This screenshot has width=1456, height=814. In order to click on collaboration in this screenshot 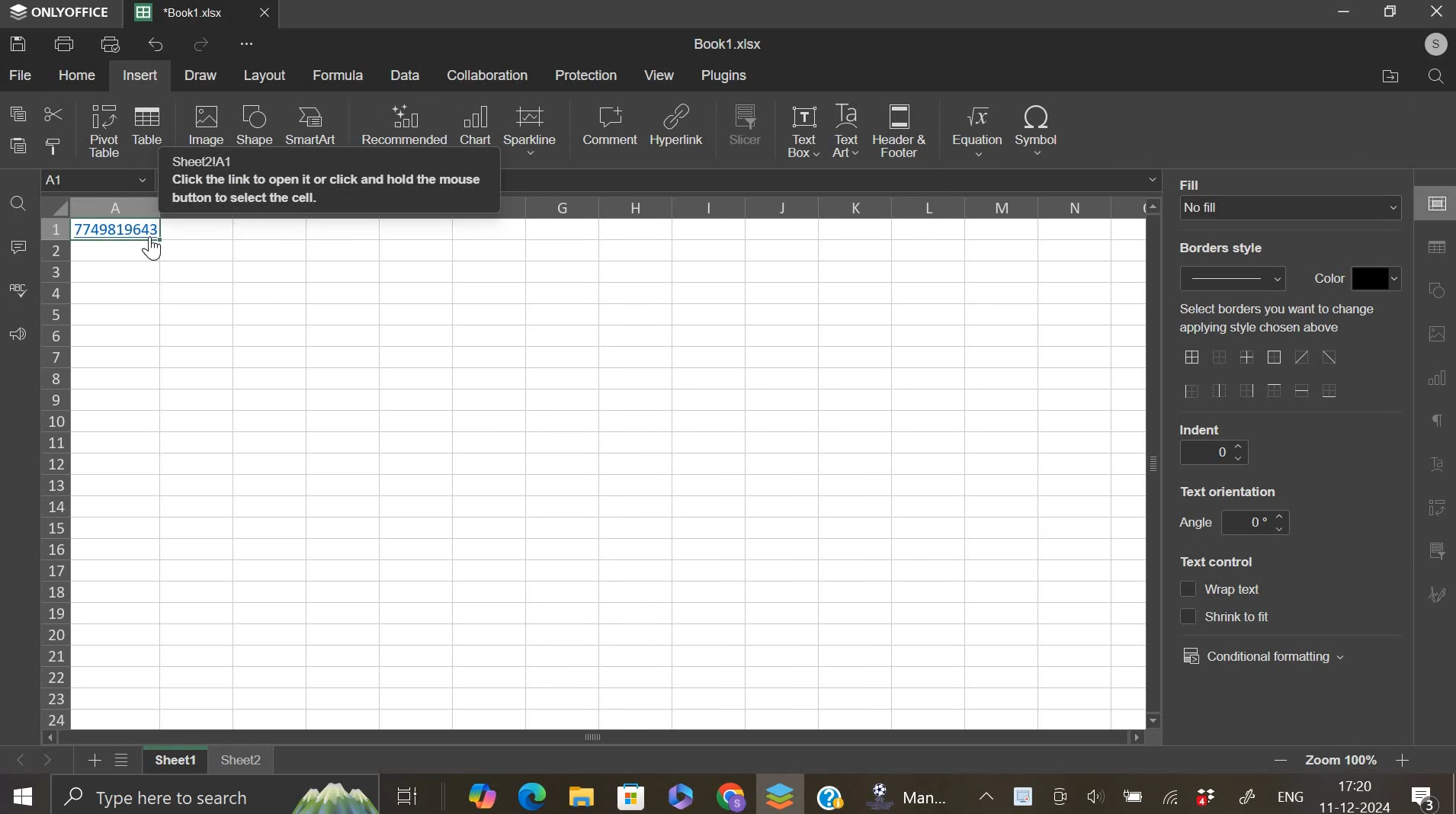, I will do `click(489, 75)`.